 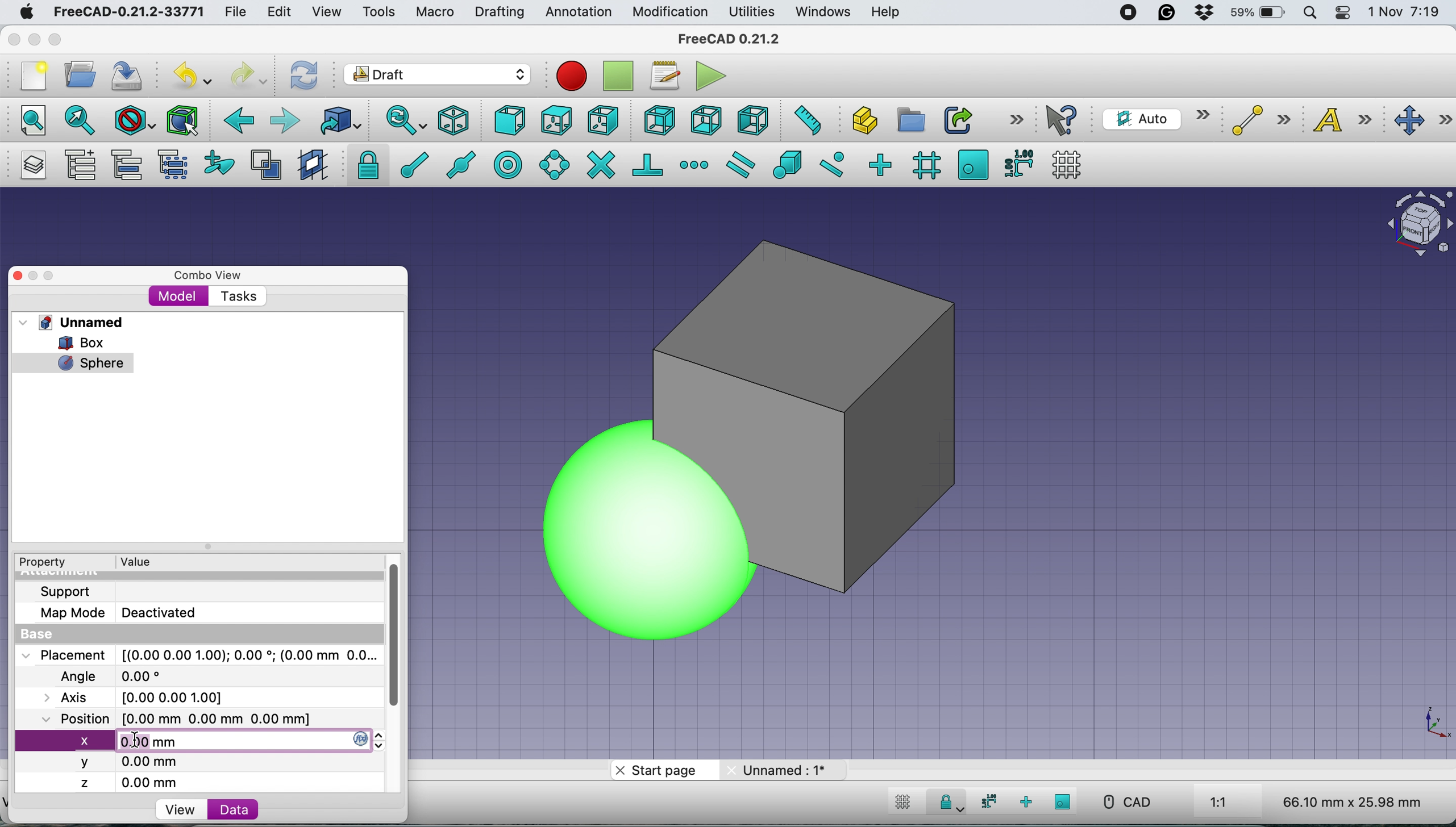 What do you see at coordinates (268, 165) in the screenshot?
I see `toggle normal wireframe display` at bounding box center [268, 165].